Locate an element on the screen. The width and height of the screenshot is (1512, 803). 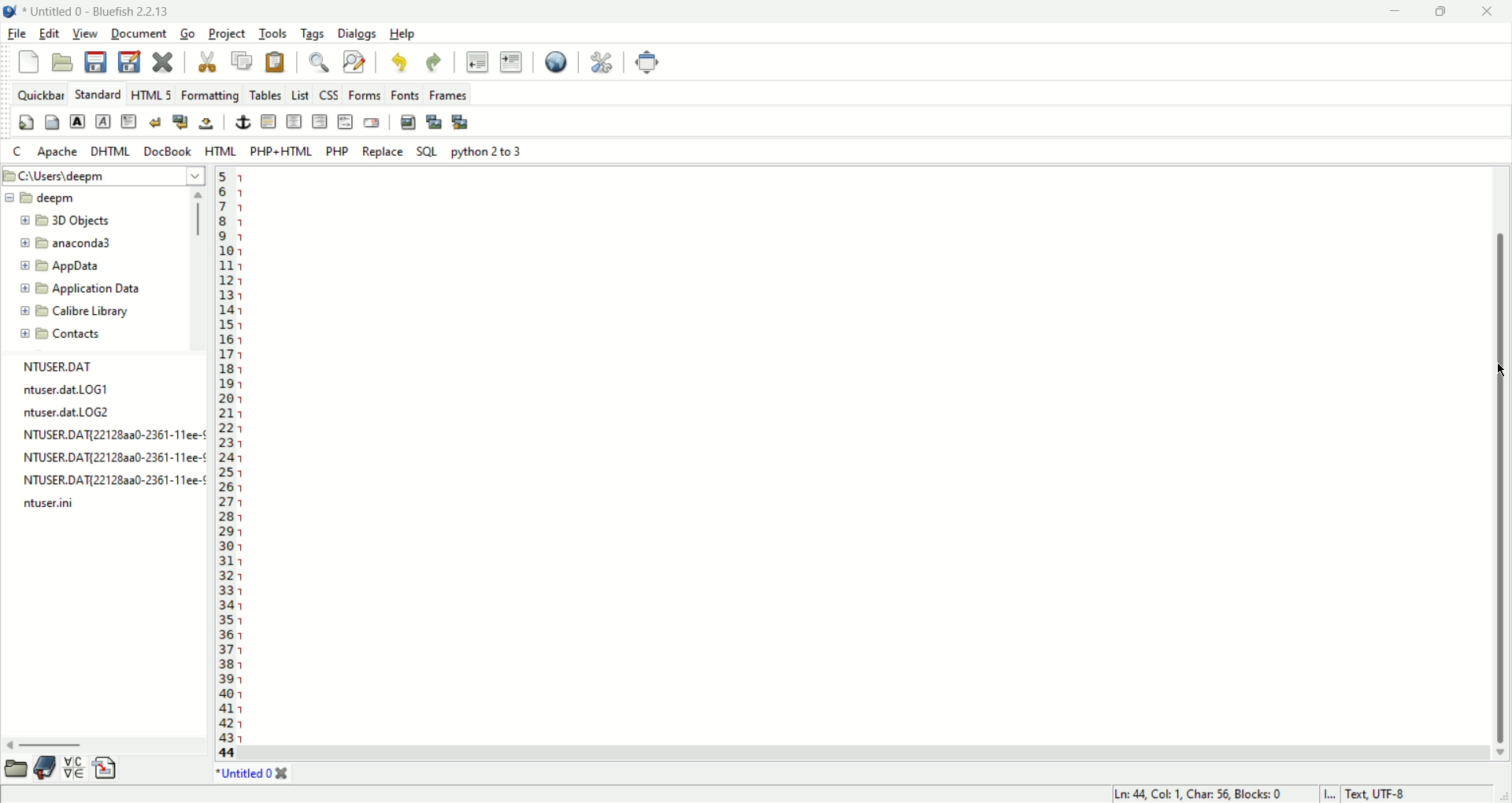
frames is located at coordinates (447, 94).